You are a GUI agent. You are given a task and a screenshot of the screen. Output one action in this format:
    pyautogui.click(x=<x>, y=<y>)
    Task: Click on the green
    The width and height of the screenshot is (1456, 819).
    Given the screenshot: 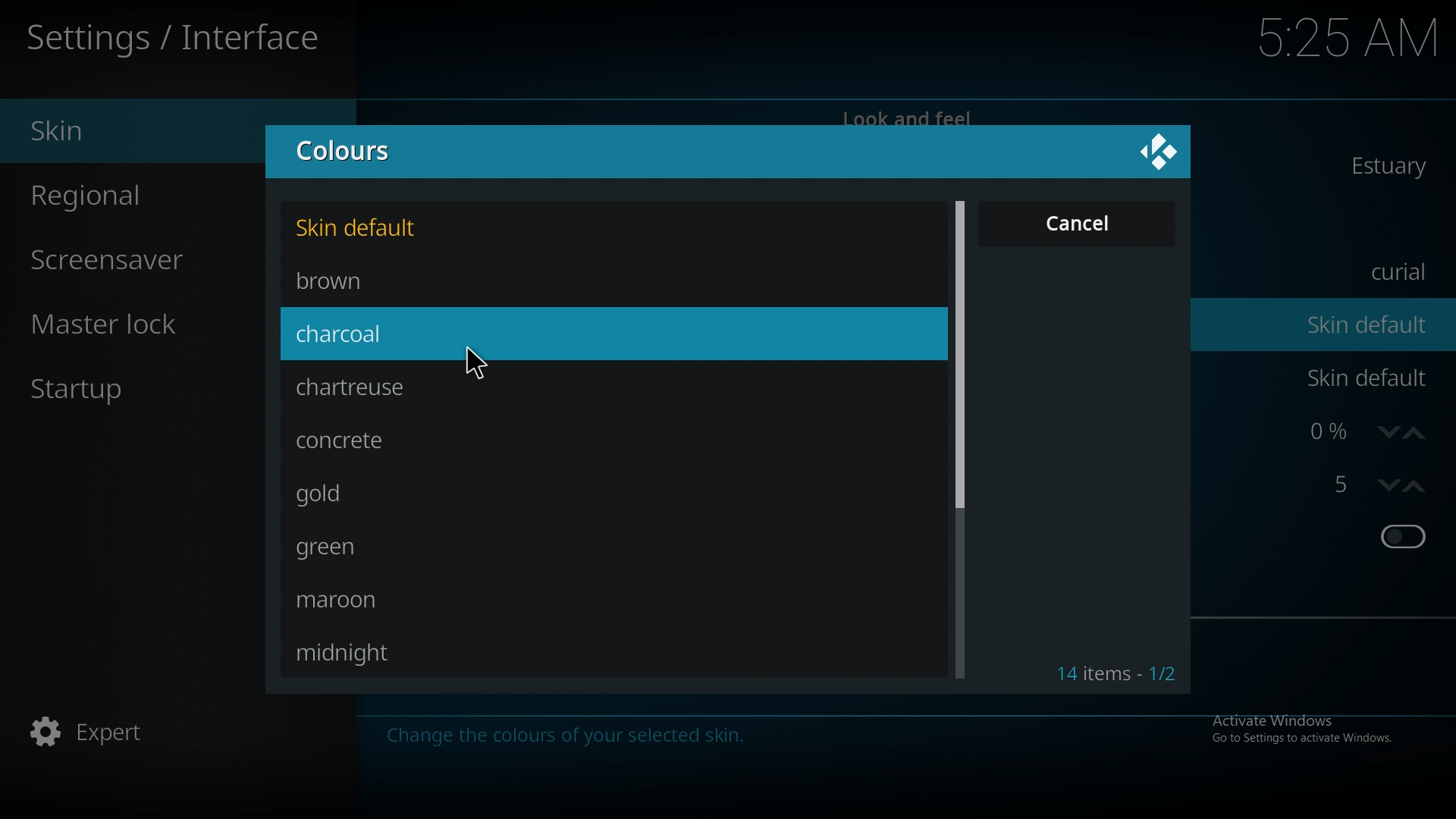 What is the action you would take?
    pyautogui.click(x=370, y=549)
    